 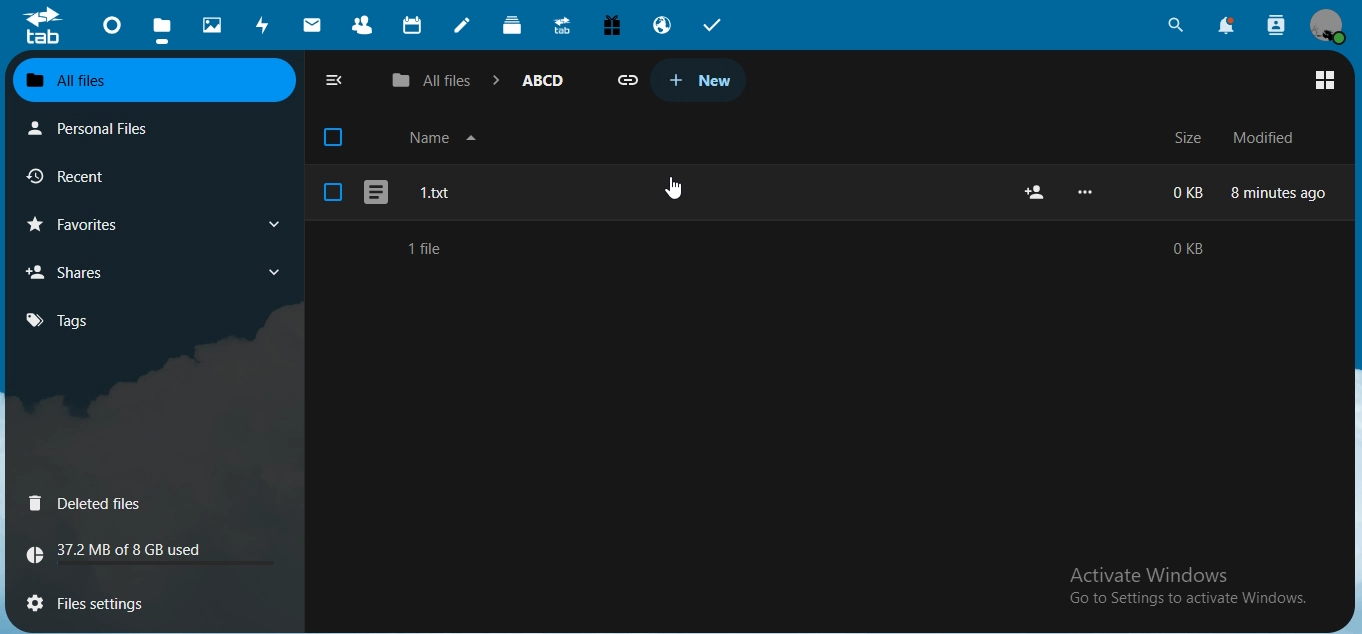 I want to click on text, so click(x=125, y=553).